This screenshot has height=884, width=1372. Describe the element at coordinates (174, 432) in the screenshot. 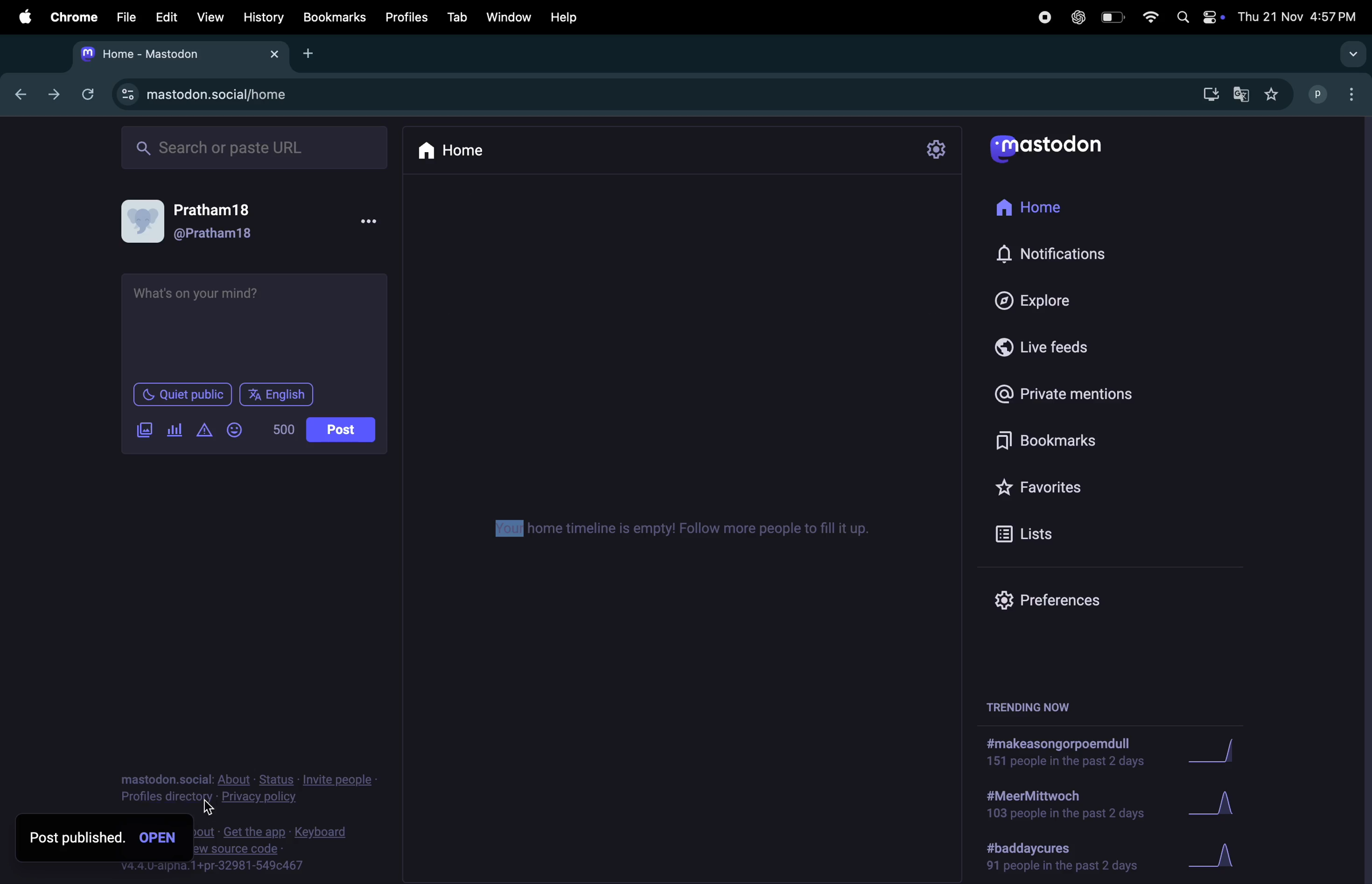

I see `add pole` at that location.